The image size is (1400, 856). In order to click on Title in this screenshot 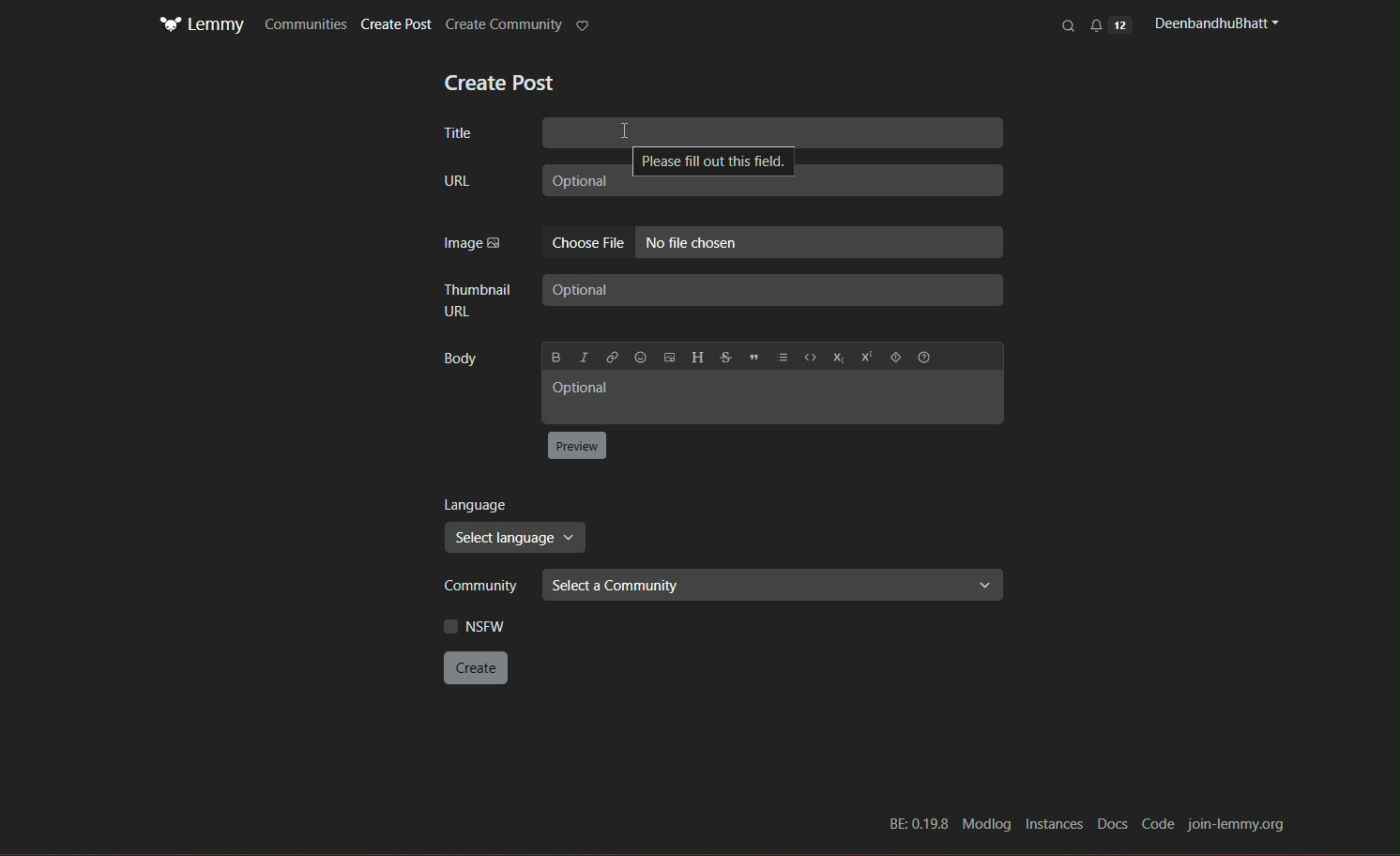, I will do `click(773, 132)`.